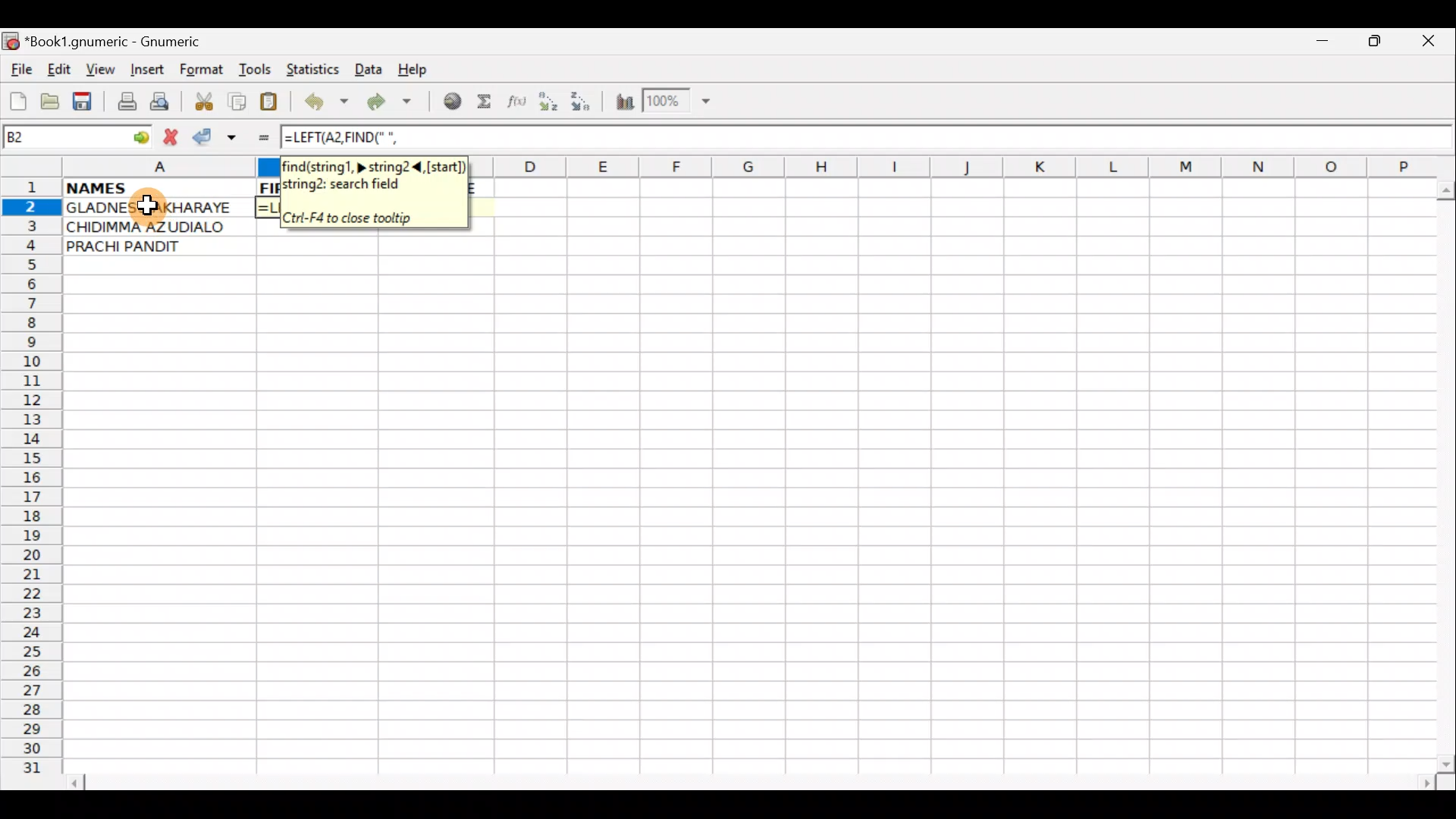 The image size is (1456, 819). I want to click on Cut selection, so click(203, 99).